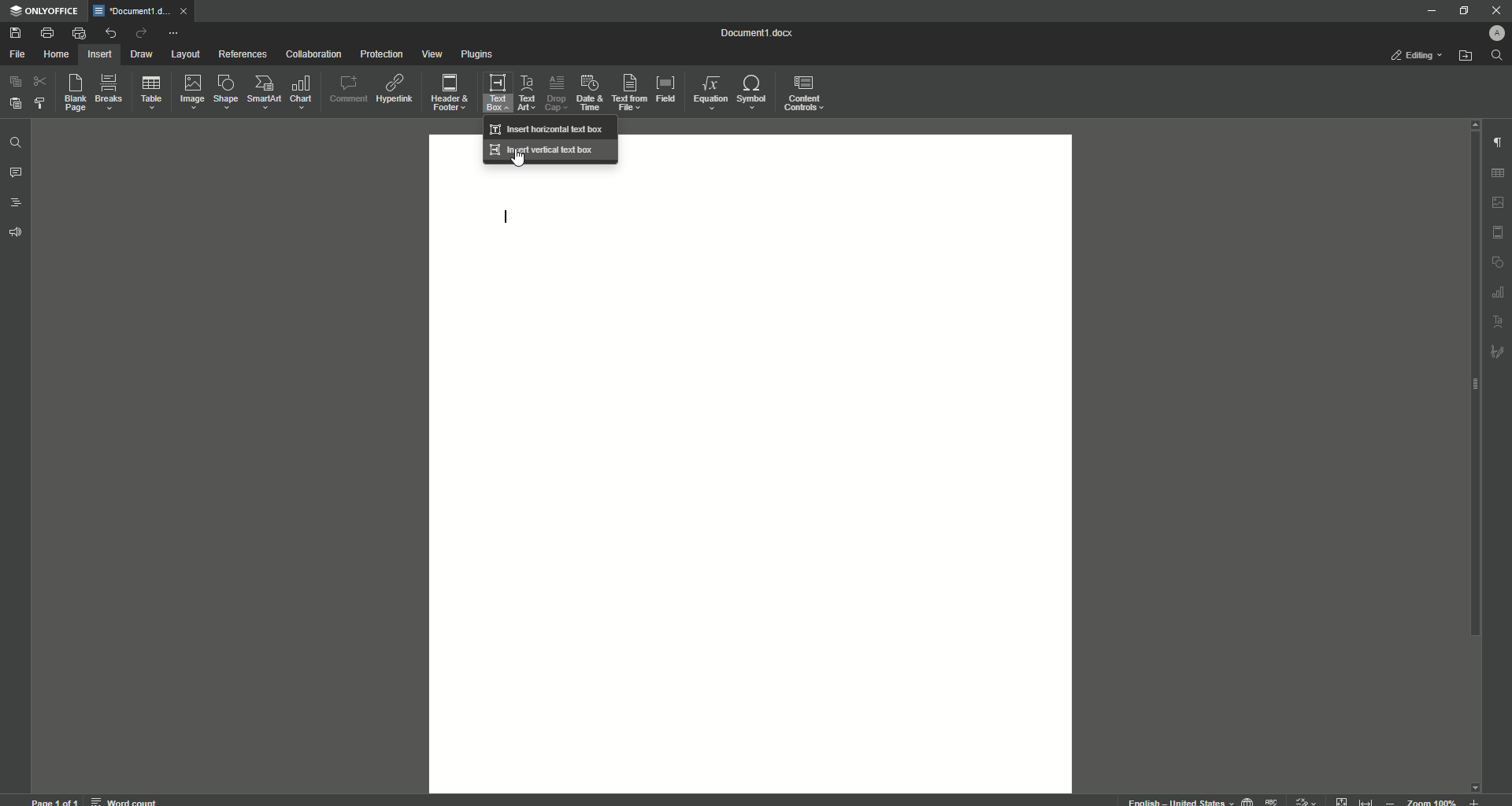 The image size is (1512, 806). Describe the element at coordinates (76, 92) in the screenshot. I see `Blank Page` at that location.